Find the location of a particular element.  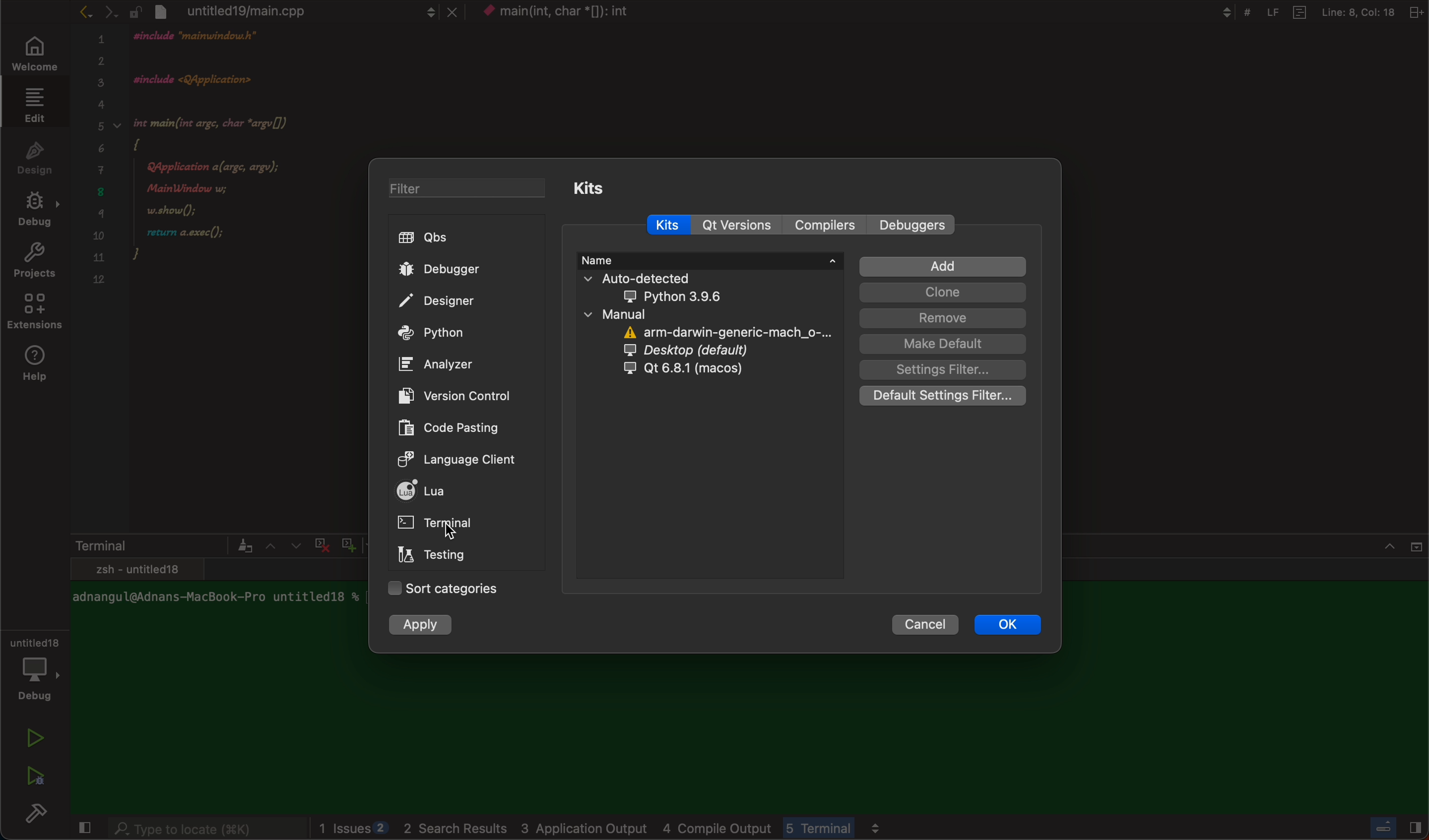

categories is located at coordinates (442, 589).